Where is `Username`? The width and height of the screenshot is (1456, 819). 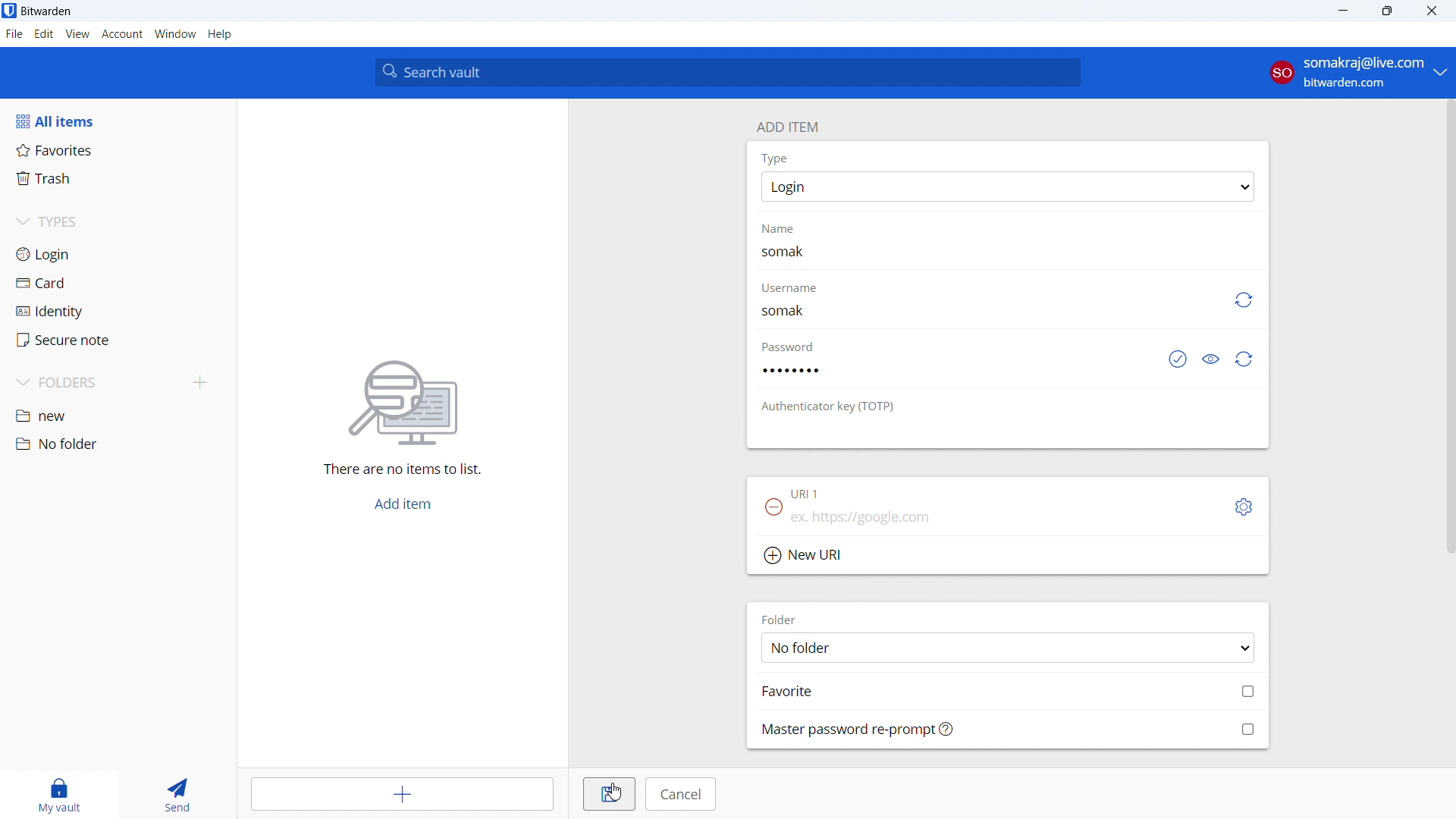 Username is located at coordinates (789, 288).